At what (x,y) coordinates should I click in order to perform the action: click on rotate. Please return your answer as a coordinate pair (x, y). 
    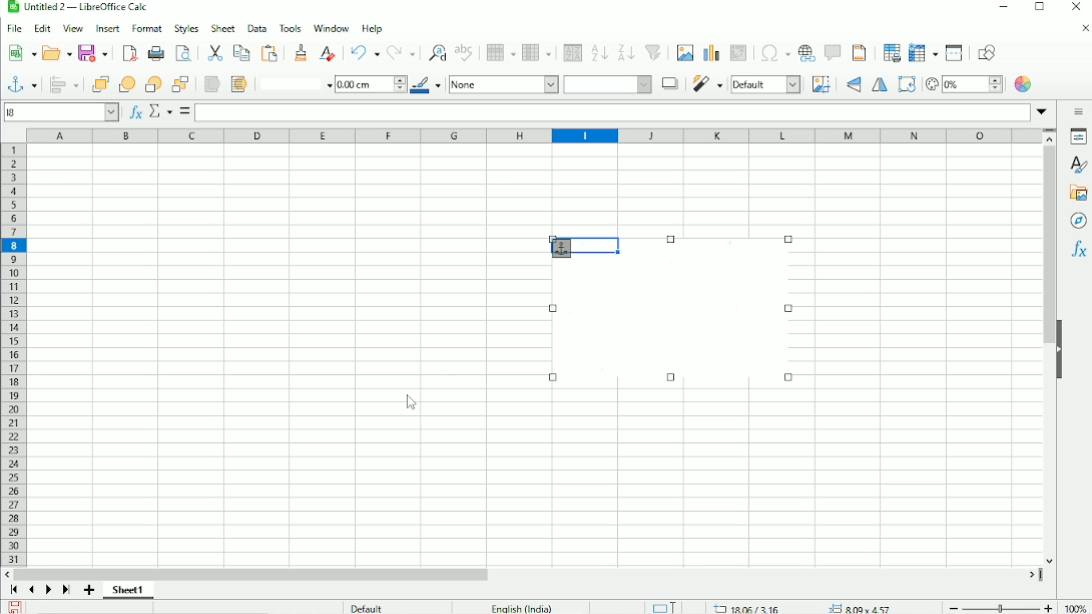
    Looking at the image, I should click on (905, 84).